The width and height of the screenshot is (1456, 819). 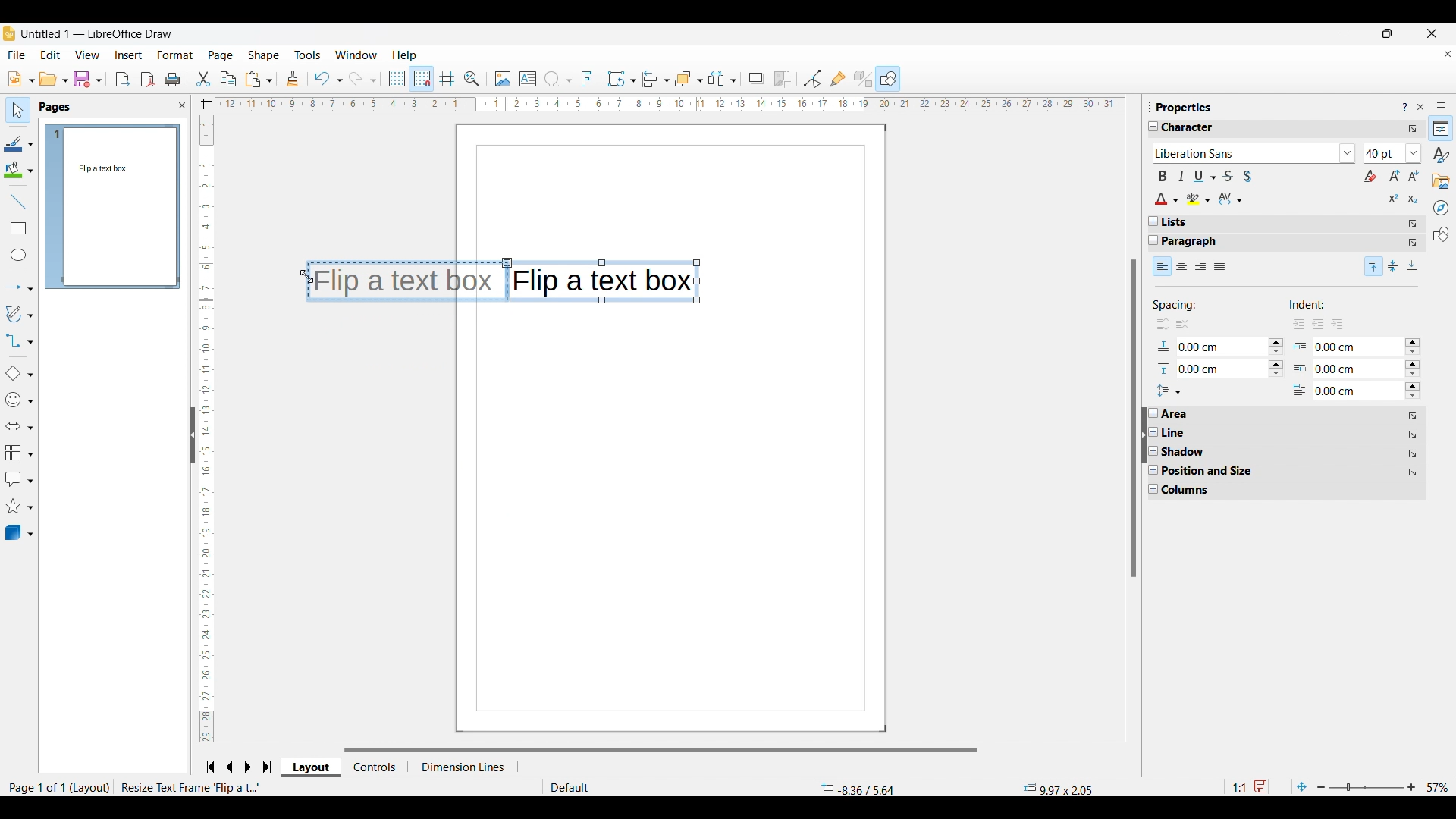 What do you see at coordinates (1414, 370) in the screenshot?
I see `Change respective indent option` at bounding box center [1414, 370].